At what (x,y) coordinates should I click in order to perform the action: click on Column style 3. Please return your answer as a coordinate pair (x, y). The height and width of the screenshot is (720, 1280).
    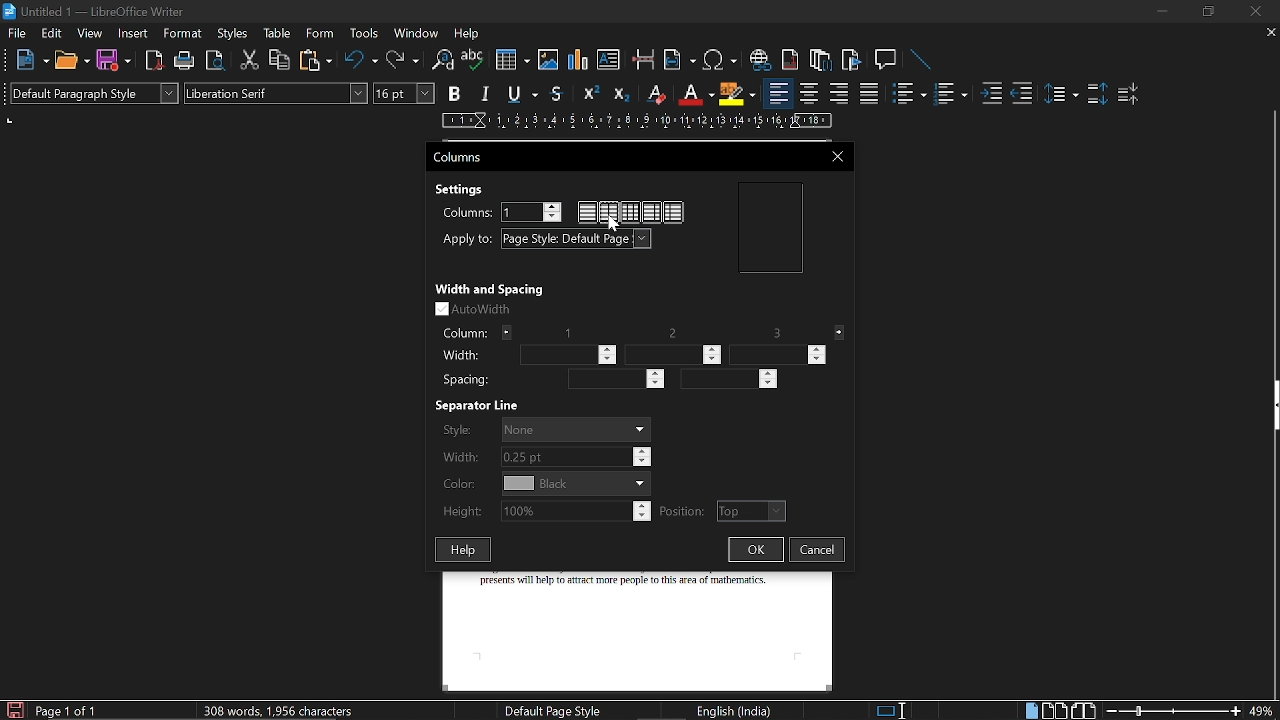
    Looking at the image, I should click on (676, 212).